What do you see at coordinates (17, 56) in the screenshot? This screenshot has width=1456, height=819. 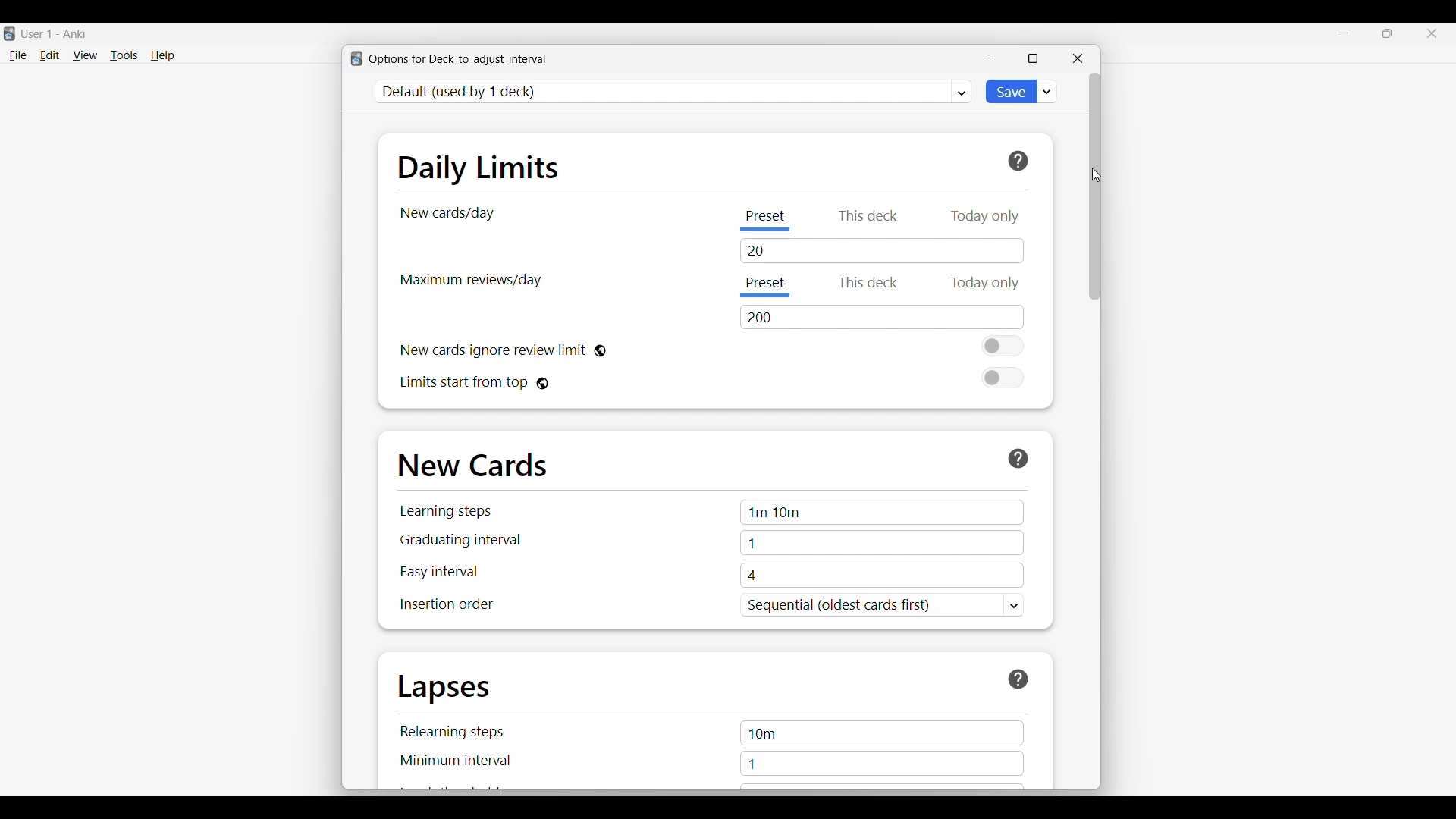 I see `File menu` at bounding box center [17, 56].